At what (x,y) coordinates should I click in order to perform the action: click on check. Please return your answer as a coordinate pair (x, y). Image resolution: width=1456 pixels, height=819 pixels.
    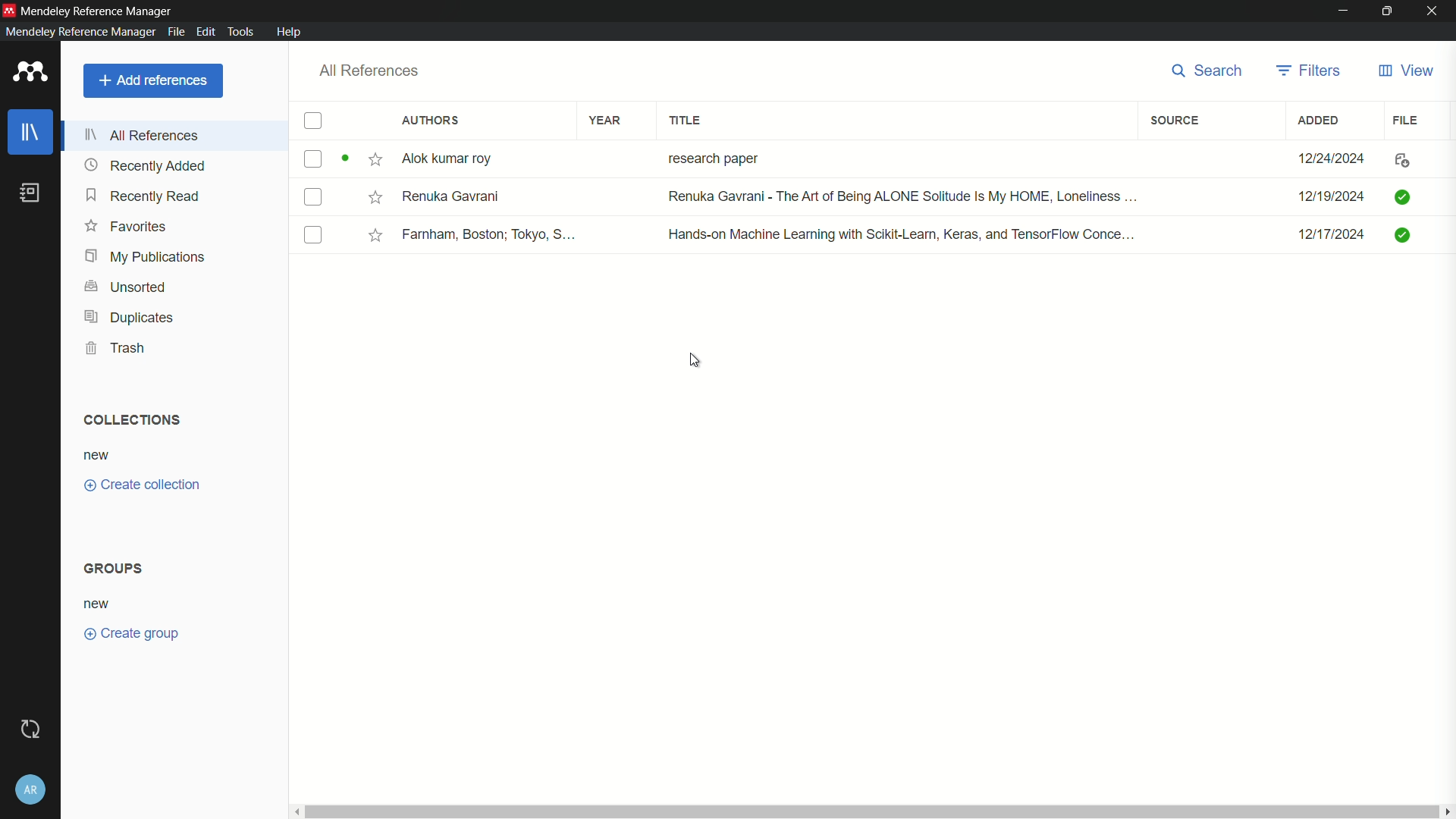
    Looking at the image, I should click on (313, 235).